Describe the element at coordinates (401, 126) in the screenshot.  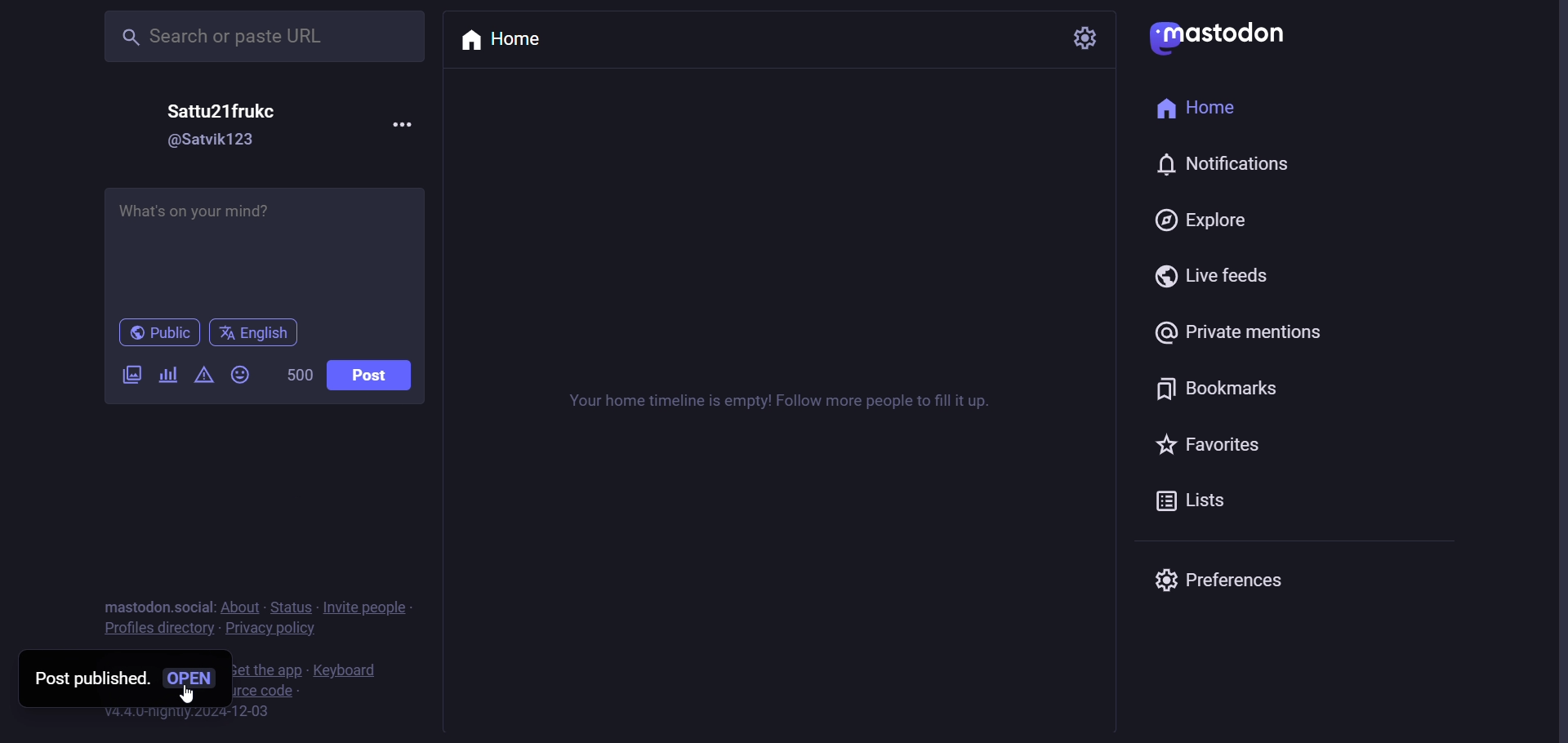
I see `more` at that location.